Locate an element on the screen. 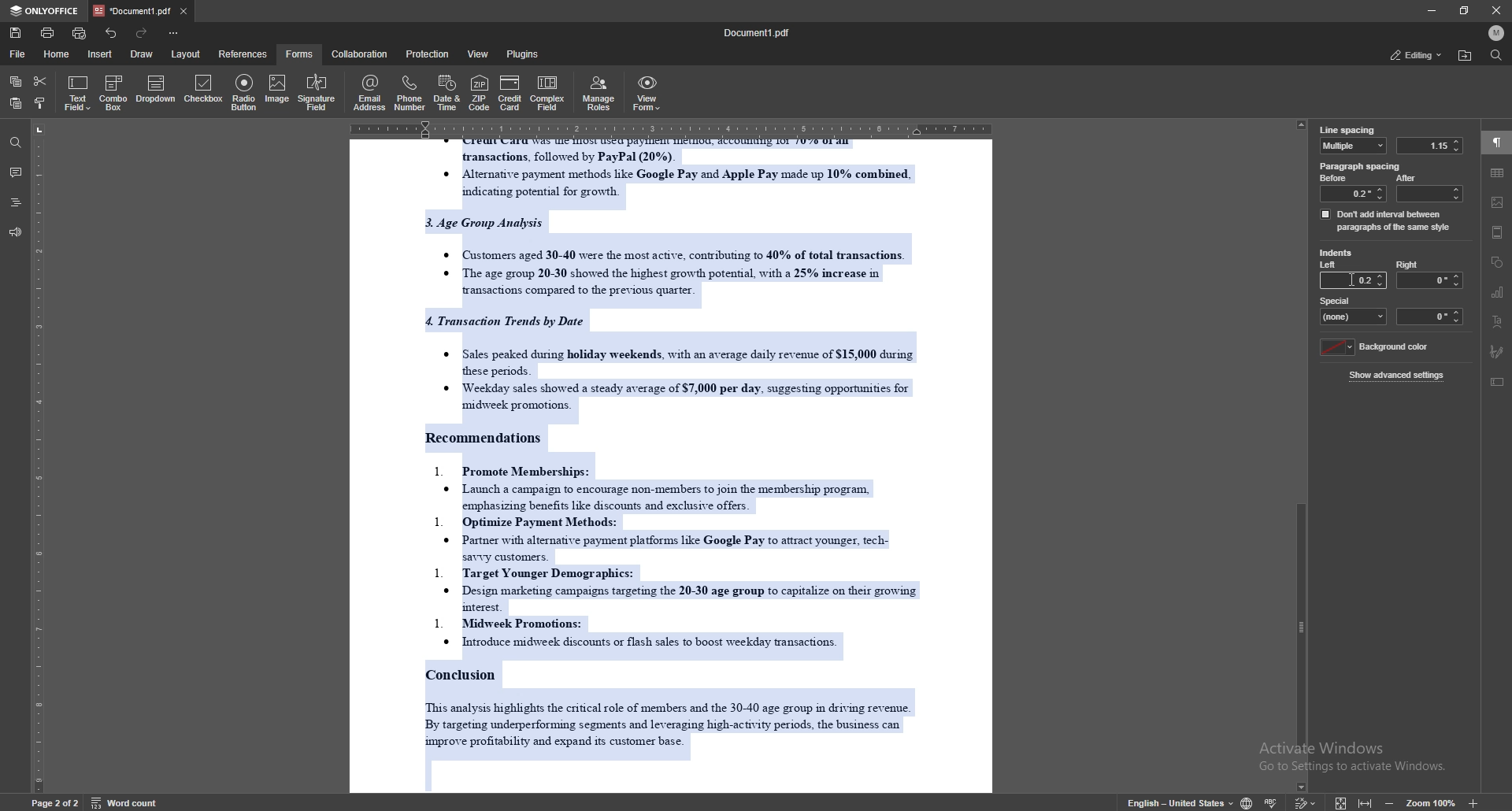 The height and width of the screenshot is (811, 1512). minimize is located at coordinates (1431, 10).